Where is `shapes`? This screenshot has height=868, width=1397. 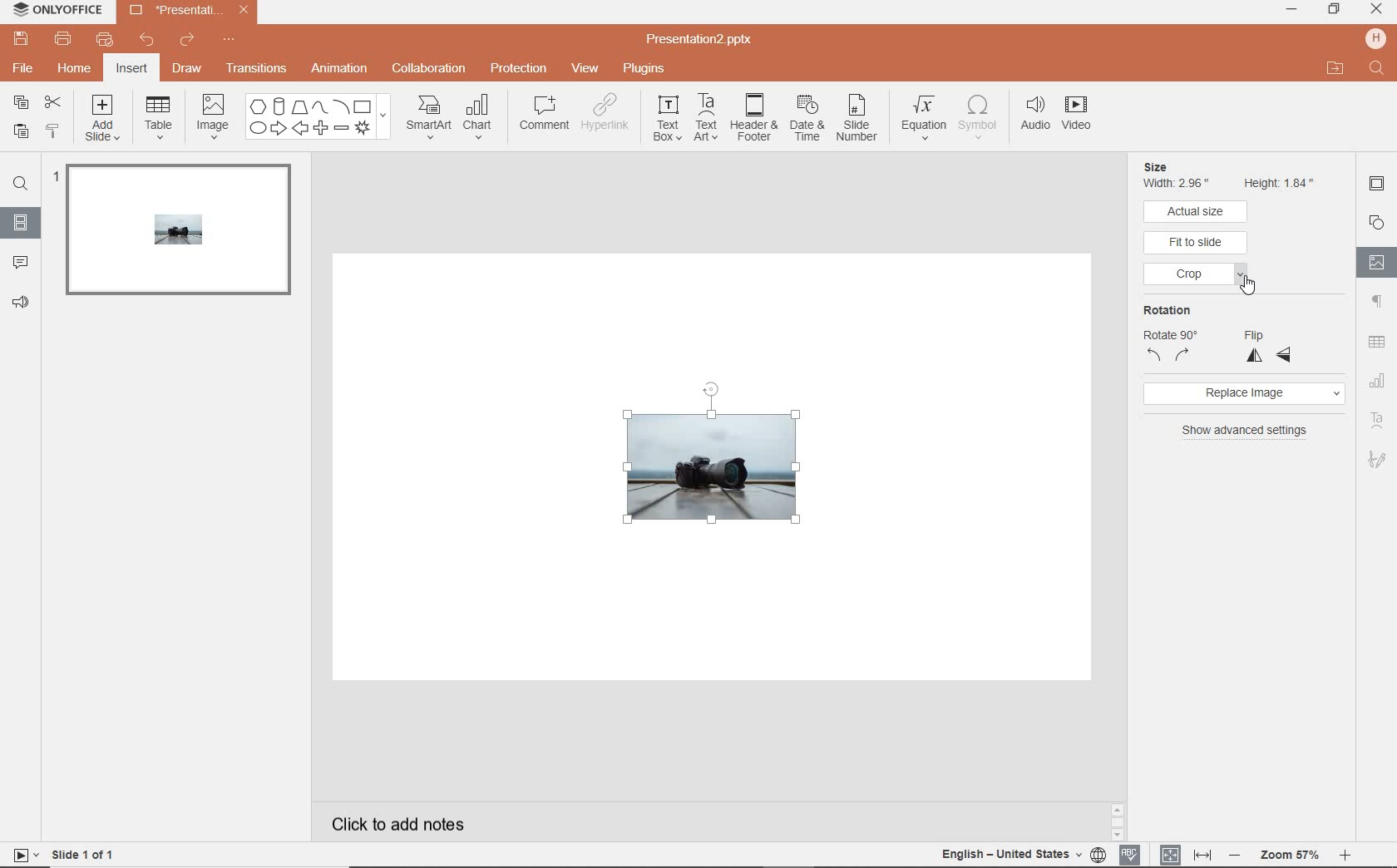
shapes is located at coordinates (1376, 221).